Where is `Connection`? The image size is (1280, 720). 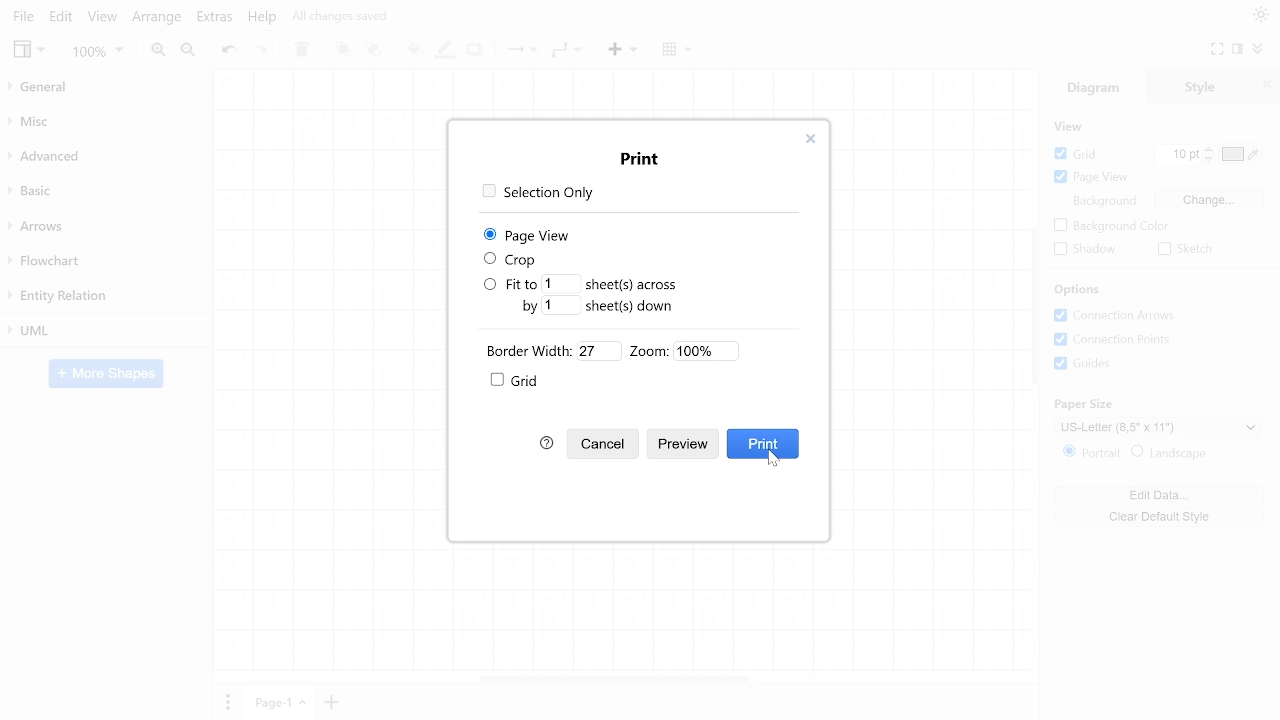 Connection is located at coordinates (522, 50).